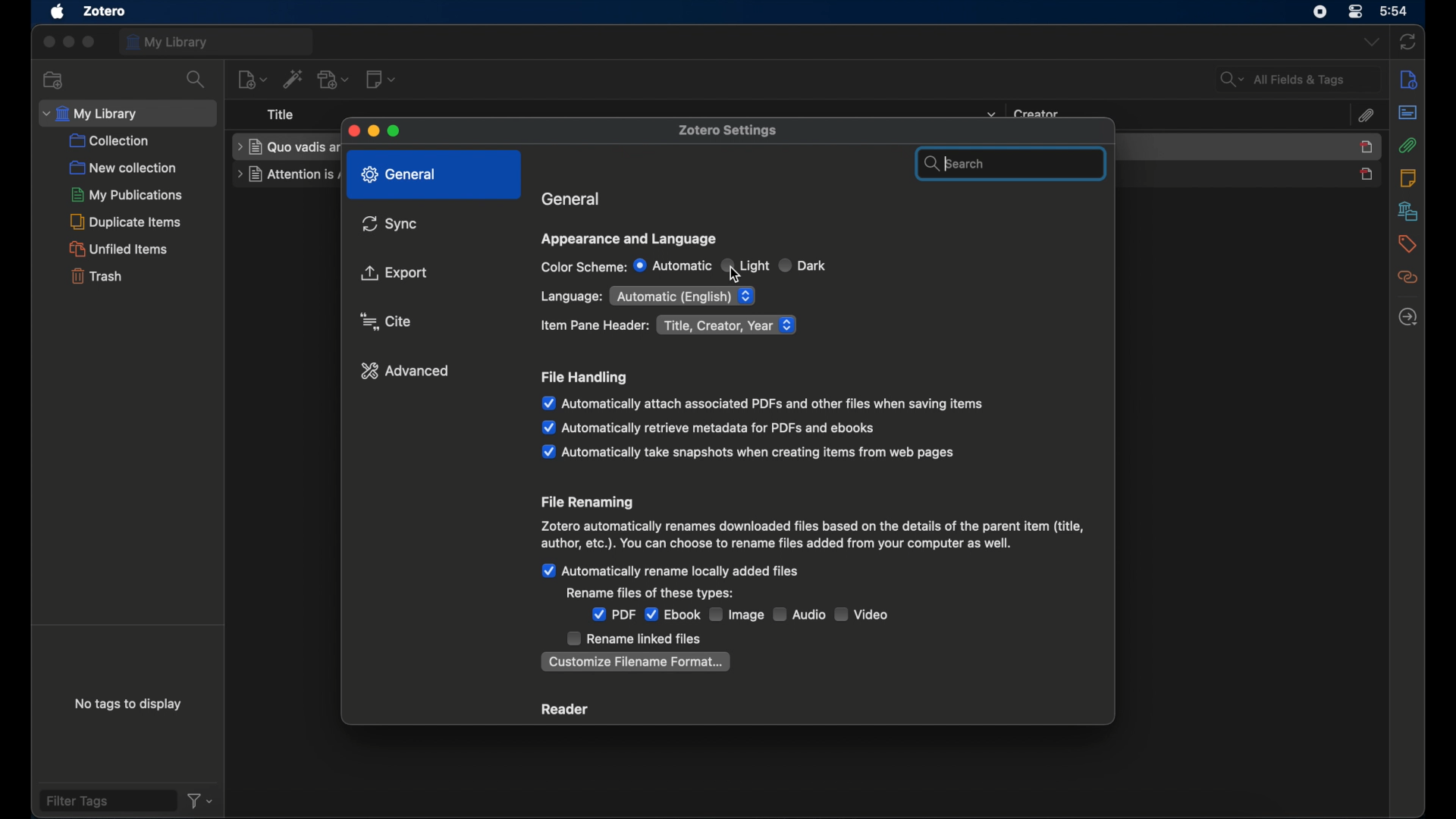 The width and height of the screenshot is (1456, 819). I want to click on general, so click(575, 198).